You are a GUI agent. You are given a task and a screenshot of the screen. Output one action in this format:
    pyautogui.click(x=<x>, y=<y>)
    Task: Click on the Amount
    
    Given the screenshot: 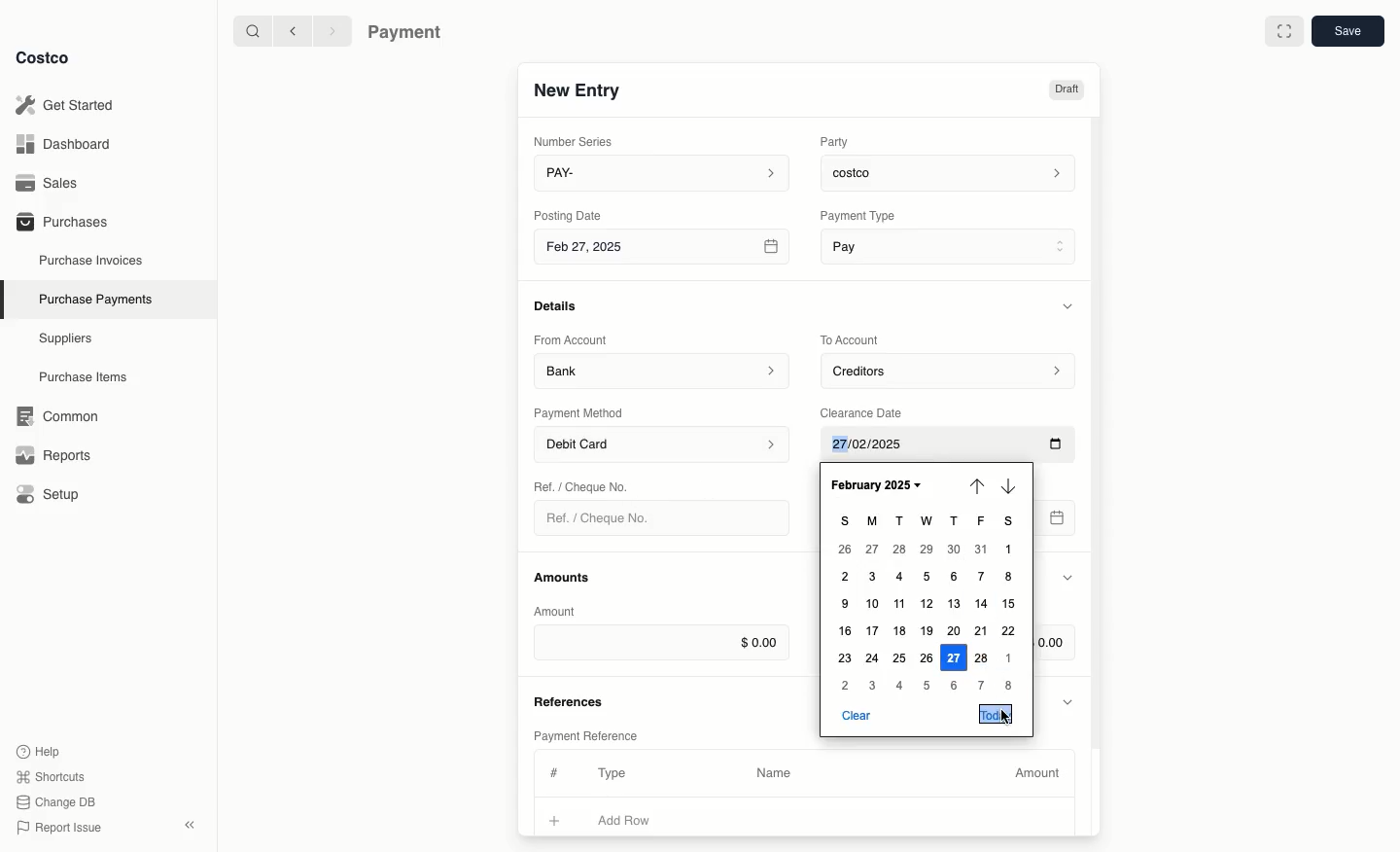 What is the action you would take?
    pyautogui.click(x=1040, y=773)
    